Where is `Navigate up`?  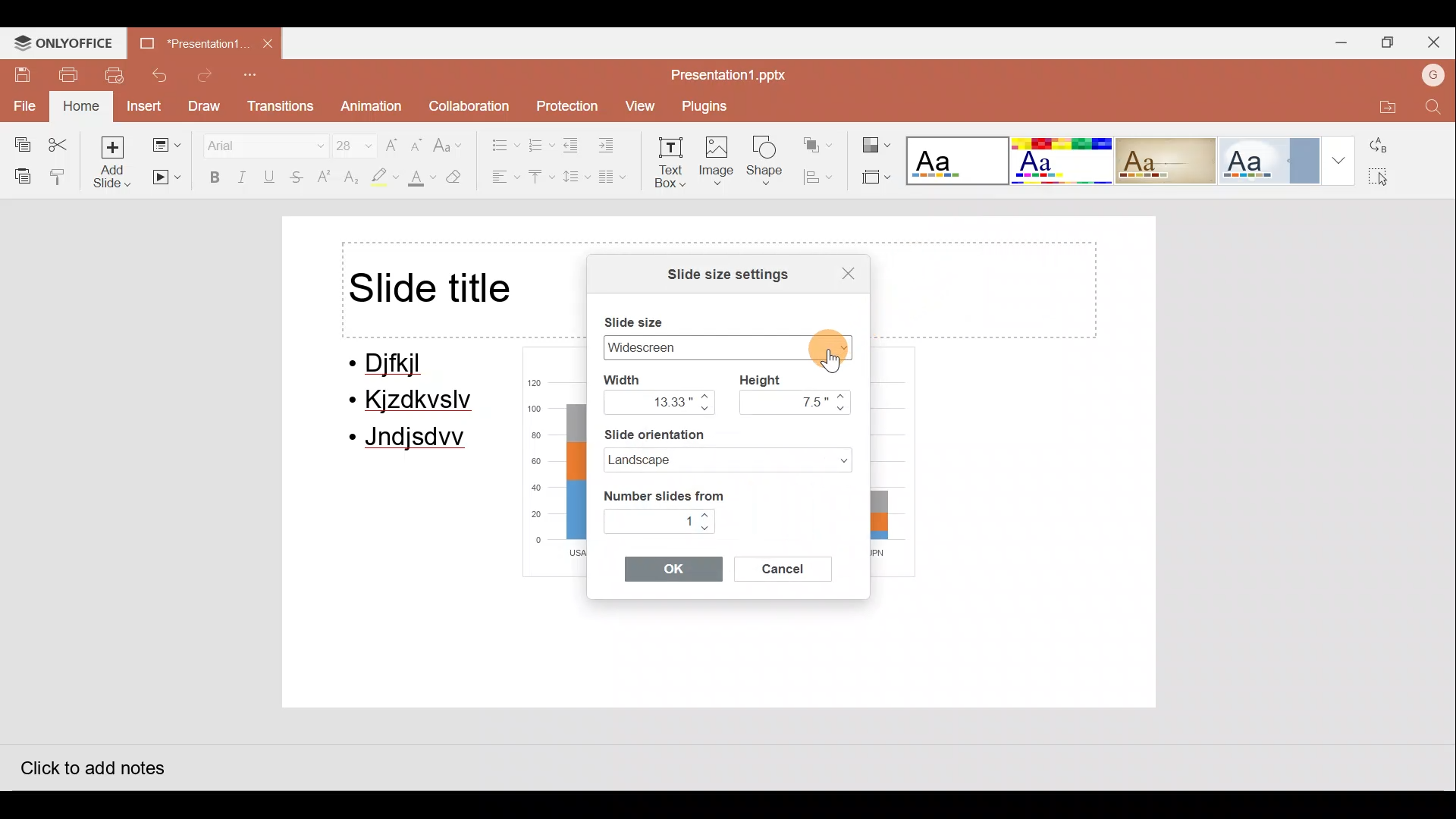
Navigate up is located at coordinates (707, 516).